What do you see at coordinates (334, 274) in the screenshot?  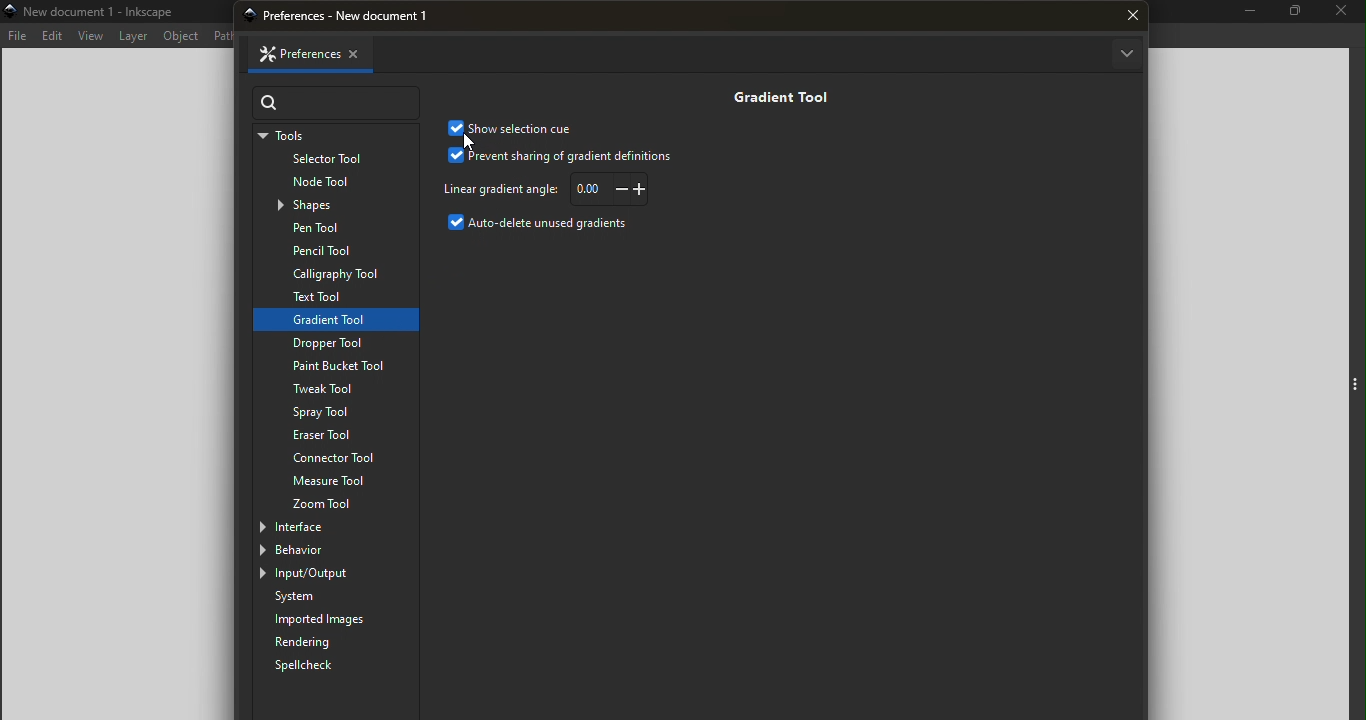 I see `Calligraphy tool` at bounding box center [334, 274].